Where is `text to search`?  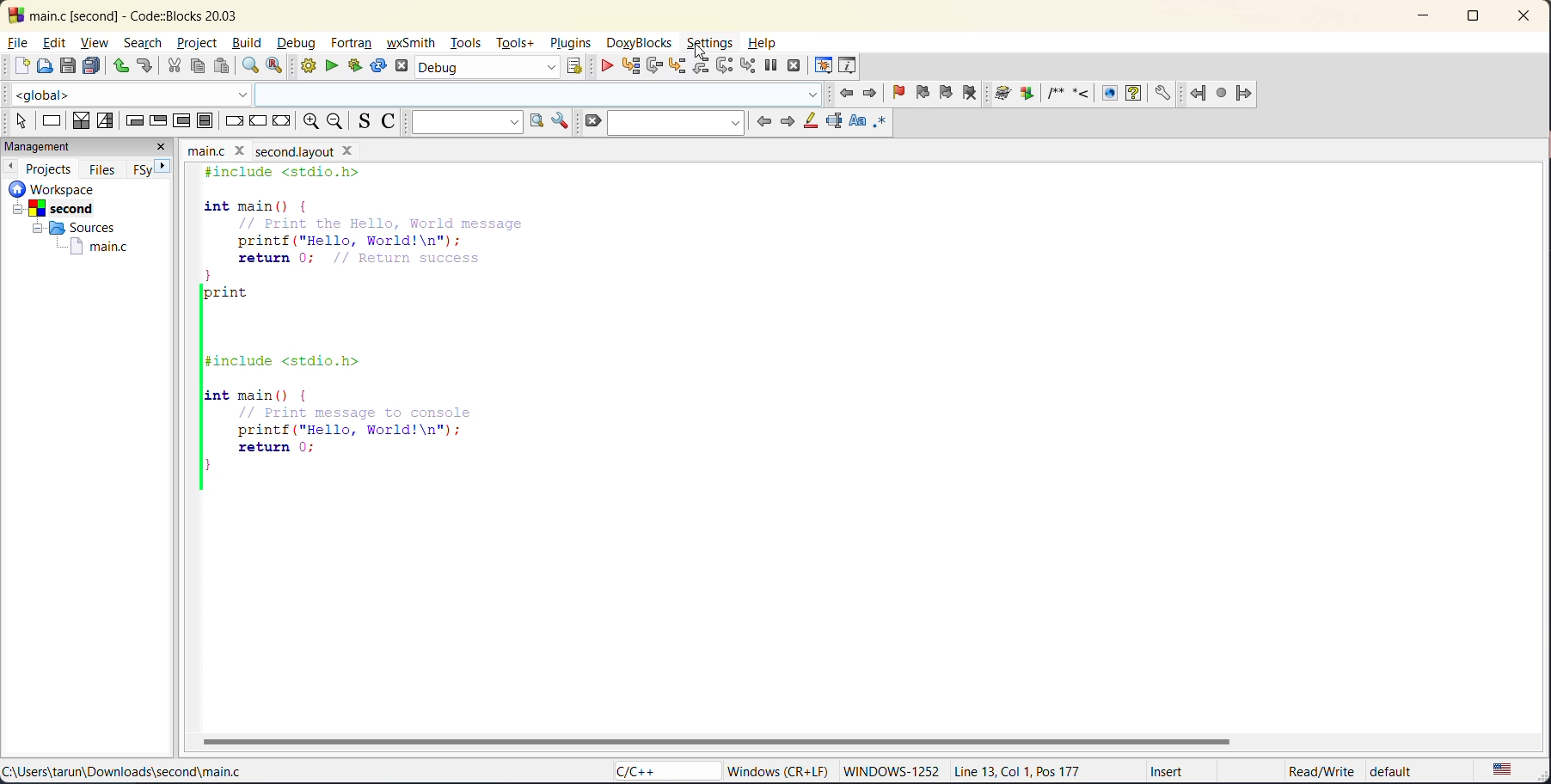
text to search is located at coordinates (466, 121).